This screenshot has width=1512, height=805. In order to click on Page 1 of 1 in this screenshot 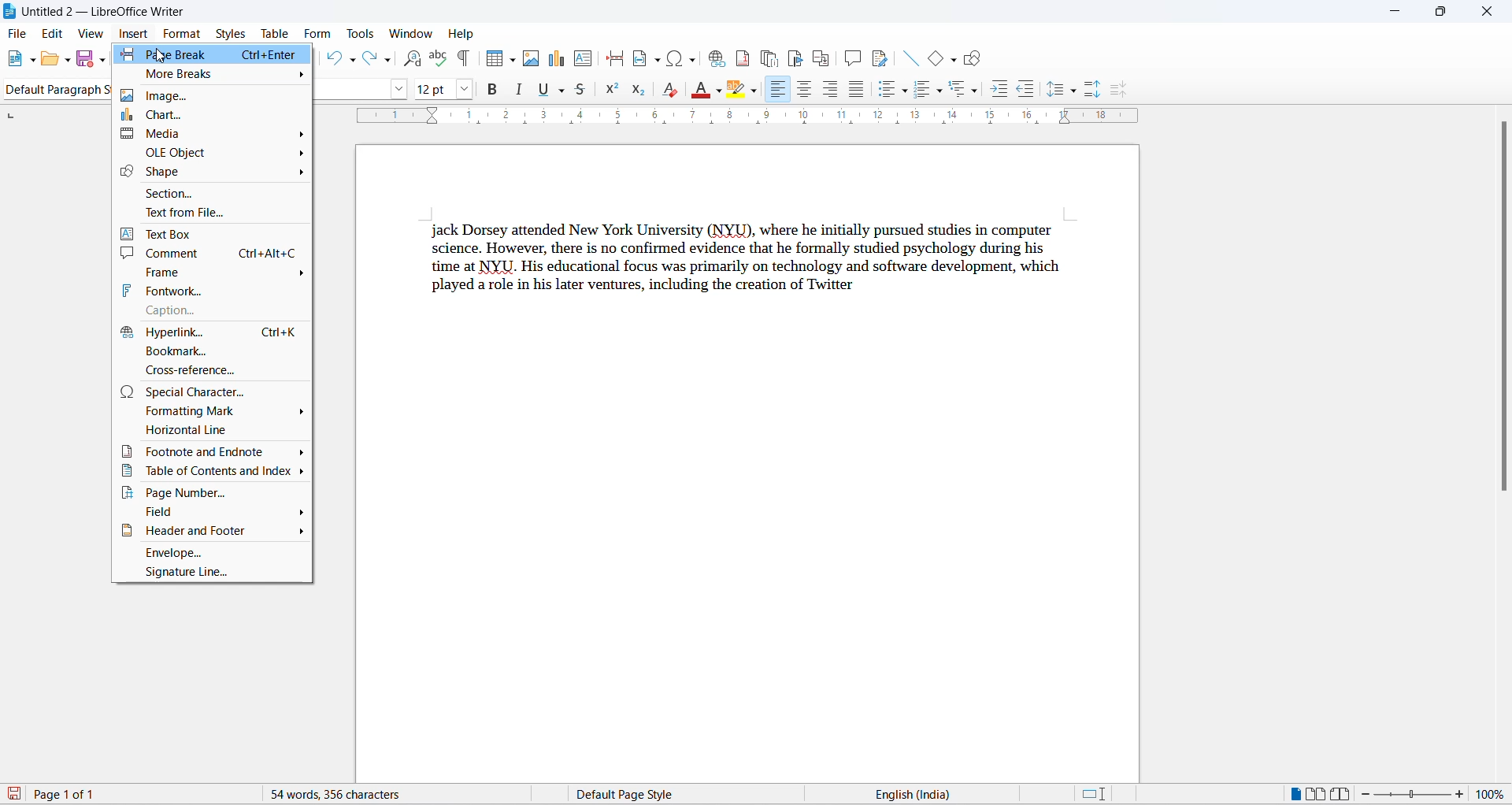, I will do `click(57, 794)`.